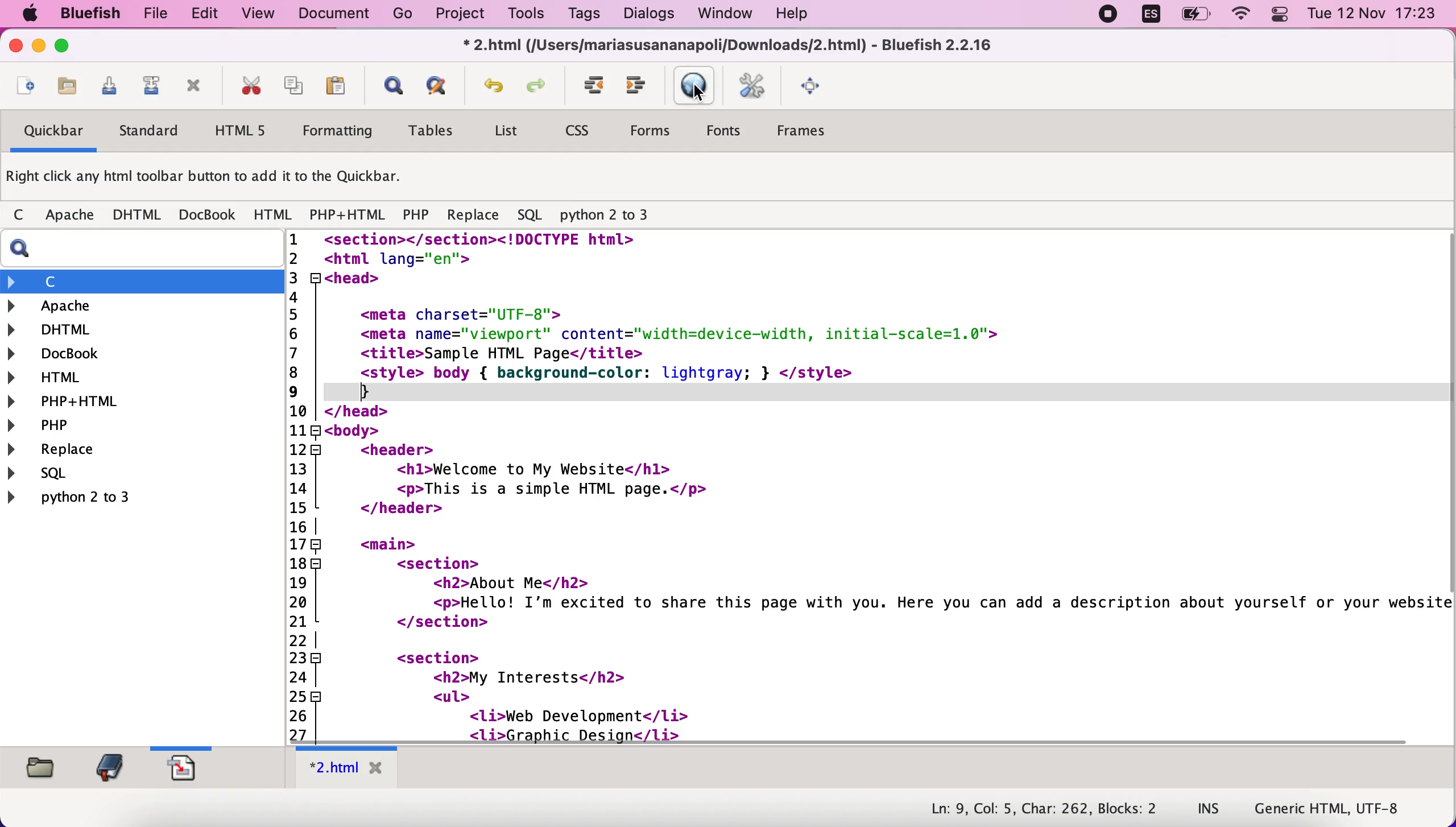 The image size is (1456, 827). Describe the element at coordinates (1041, 808) in the screenshot. I see `Ln: 9, Col: 5, Char: 262, Blocks: 2` at that location.